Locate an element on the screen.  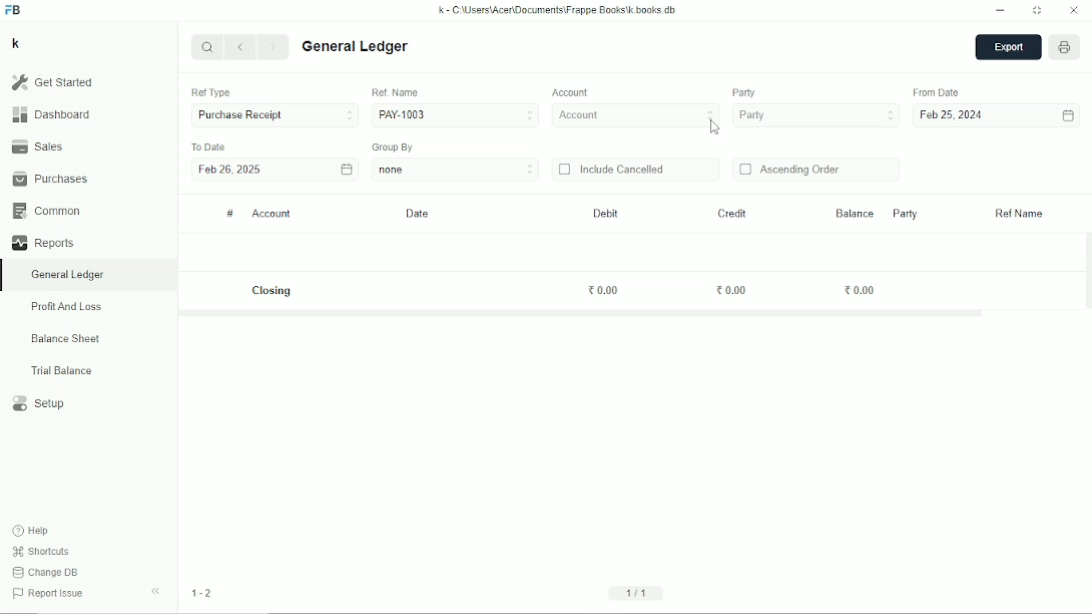
Dashboard is located at coordinates (51, 114).